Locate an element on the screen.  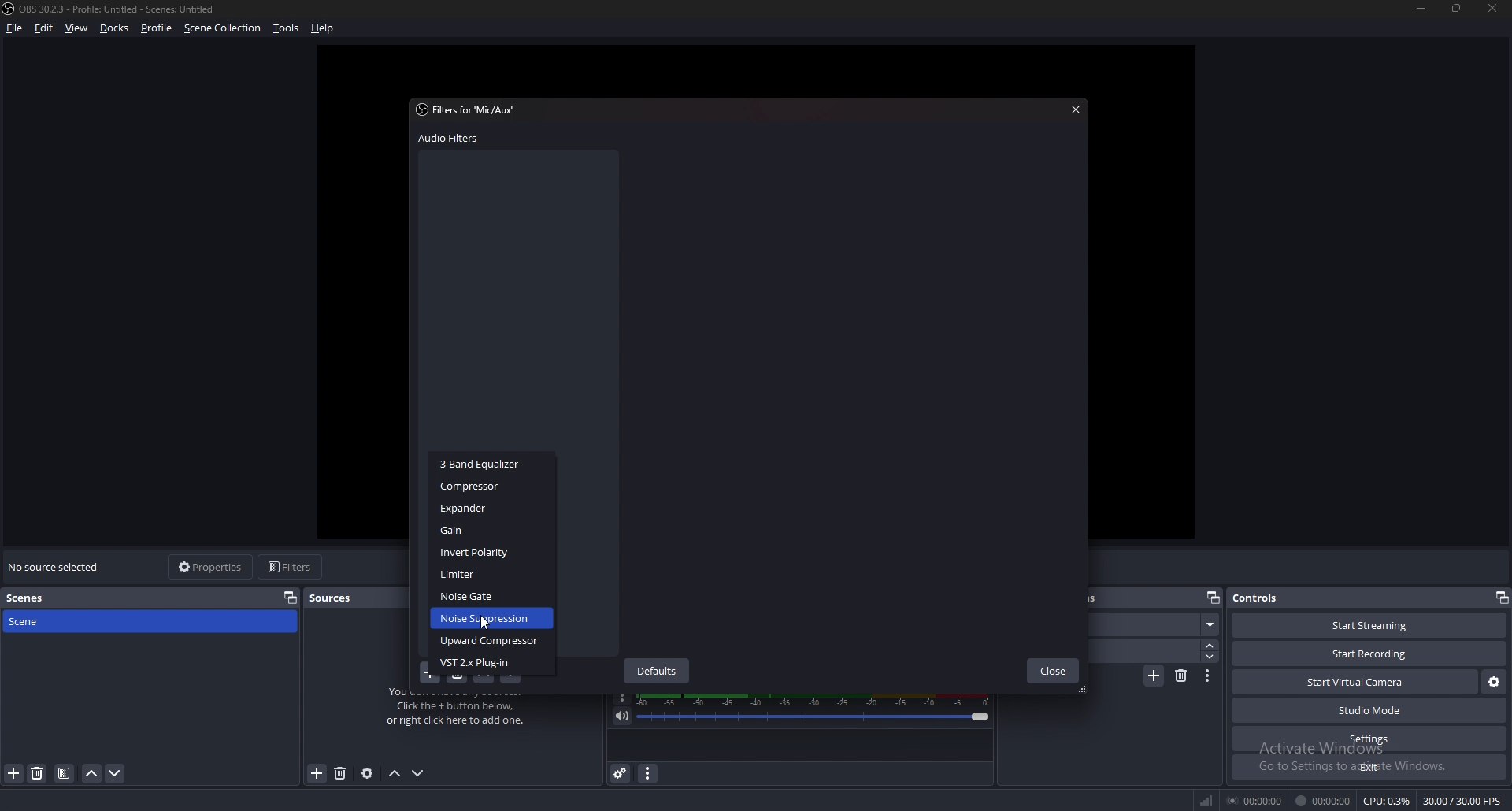
audio mixer menu is located at coordinates (648, 775).